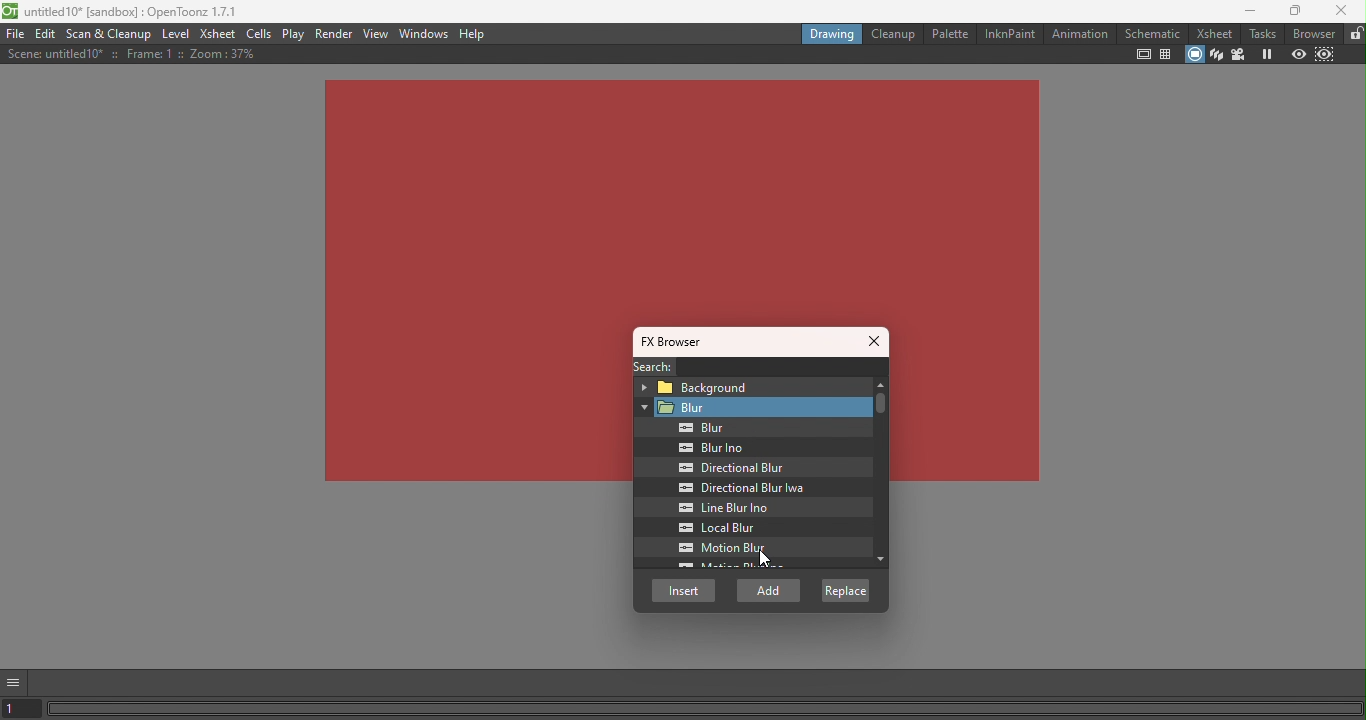  I want to click on Field guide, so click(1164, 56).